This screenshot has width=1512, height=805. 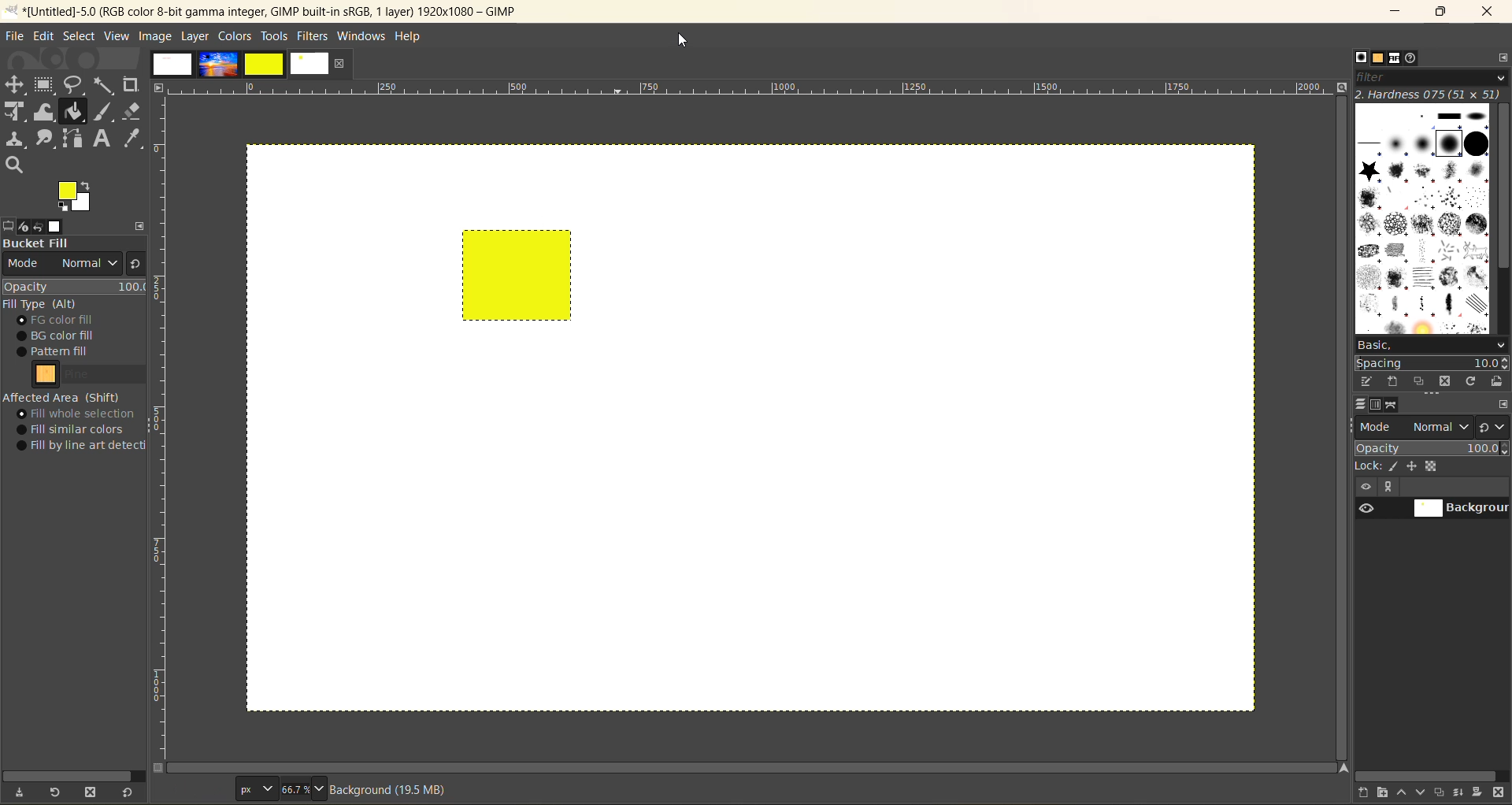 I want to click on bg color, so click(x=65, y=335).